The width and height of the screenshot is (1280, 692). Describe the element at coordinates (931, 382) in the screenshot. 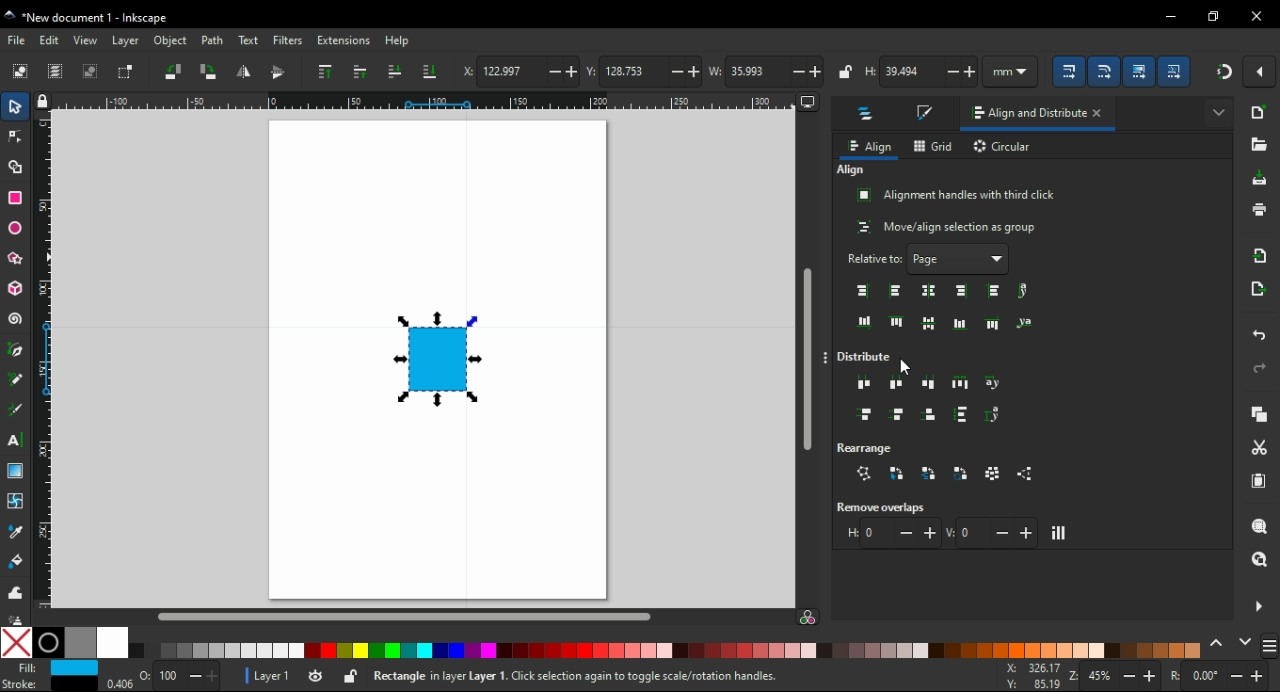

I see `distribute horizontally with even spacing between right edges` at that location.